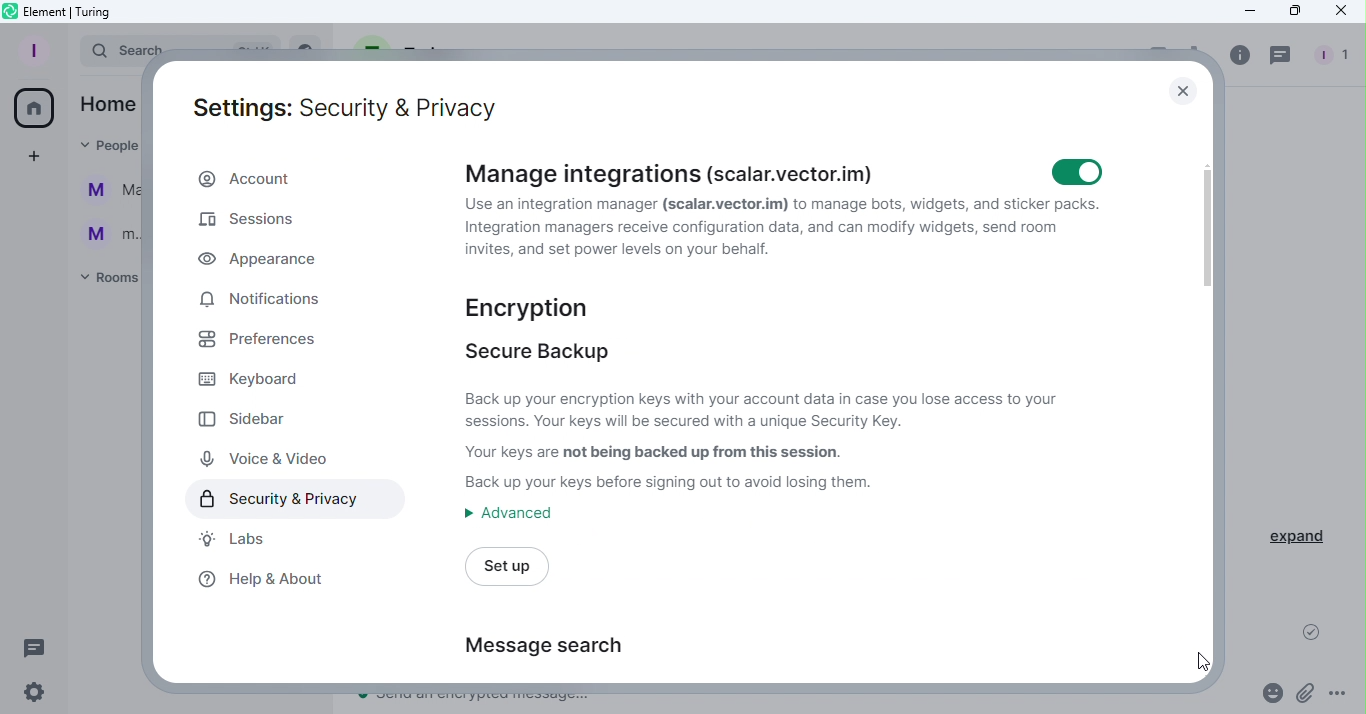 This screenshot has width=1366, height=714. I want to click on Security and privacy, so click(268, 501).